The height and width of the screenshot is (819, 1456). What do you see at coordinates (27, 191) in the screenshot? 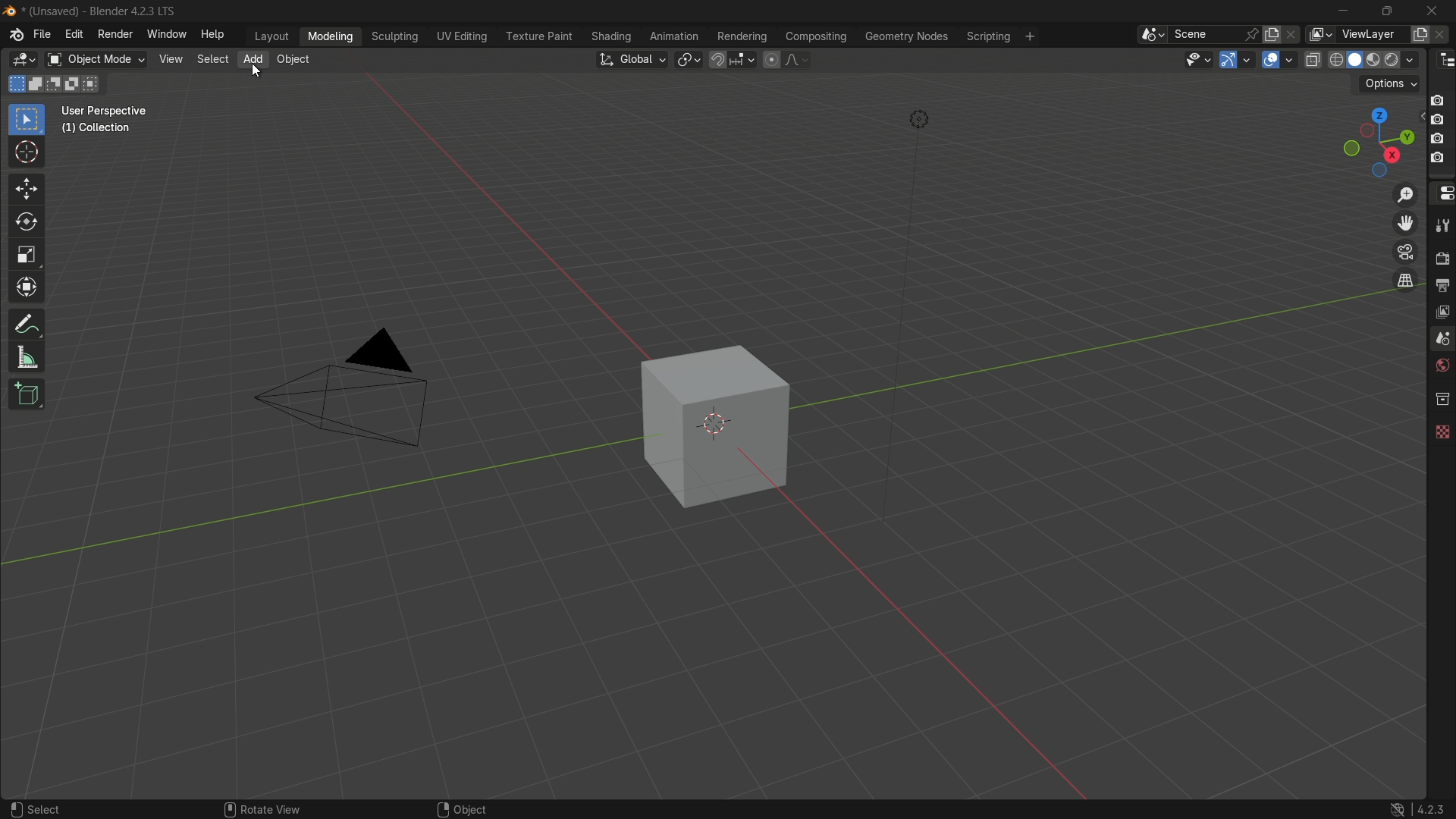
I see `move` at bounding box center [27, 191].